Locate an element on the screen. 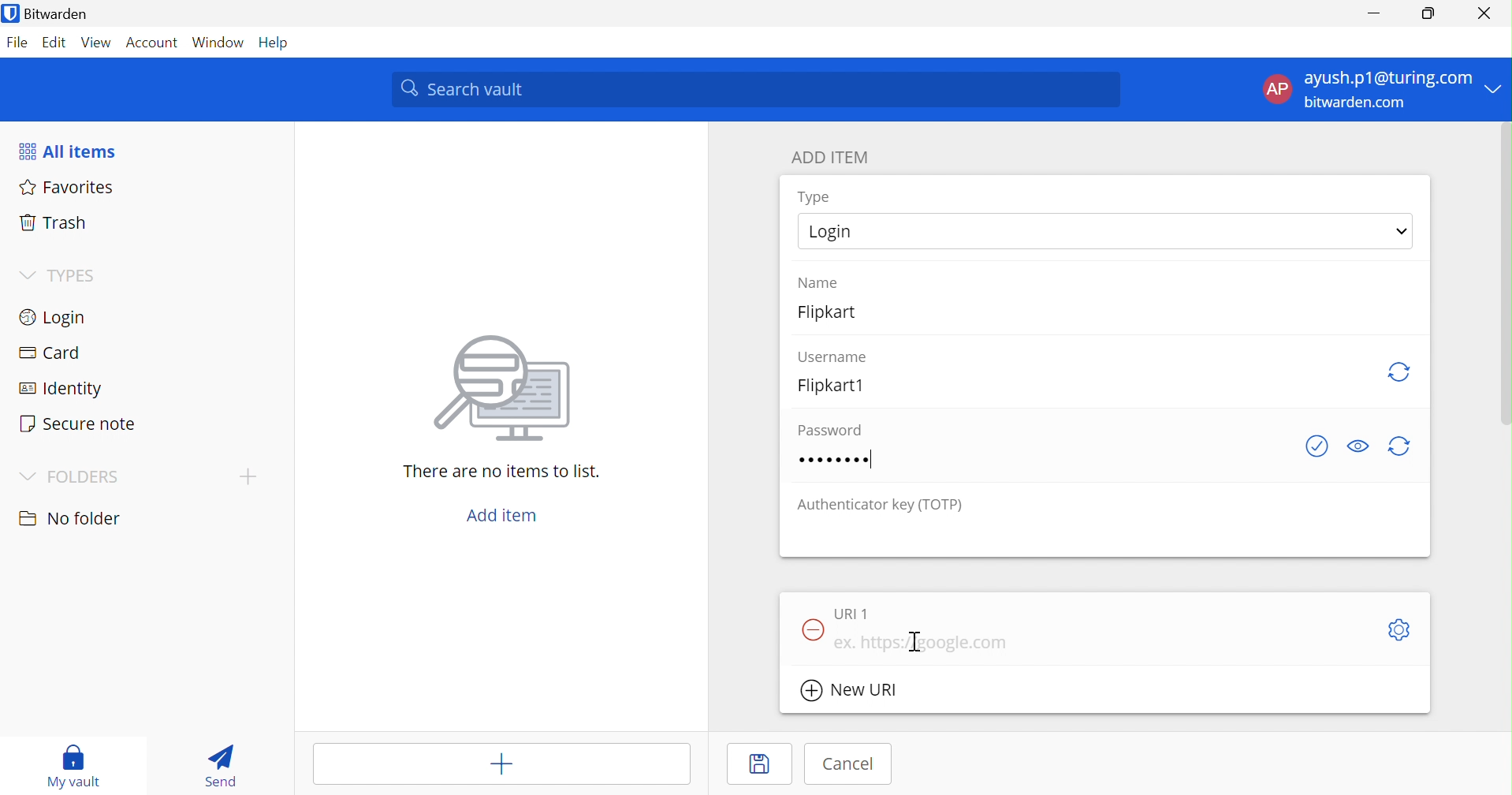 This screenshot has width=1512, height=795. Help is located at coordinates (278, 43).